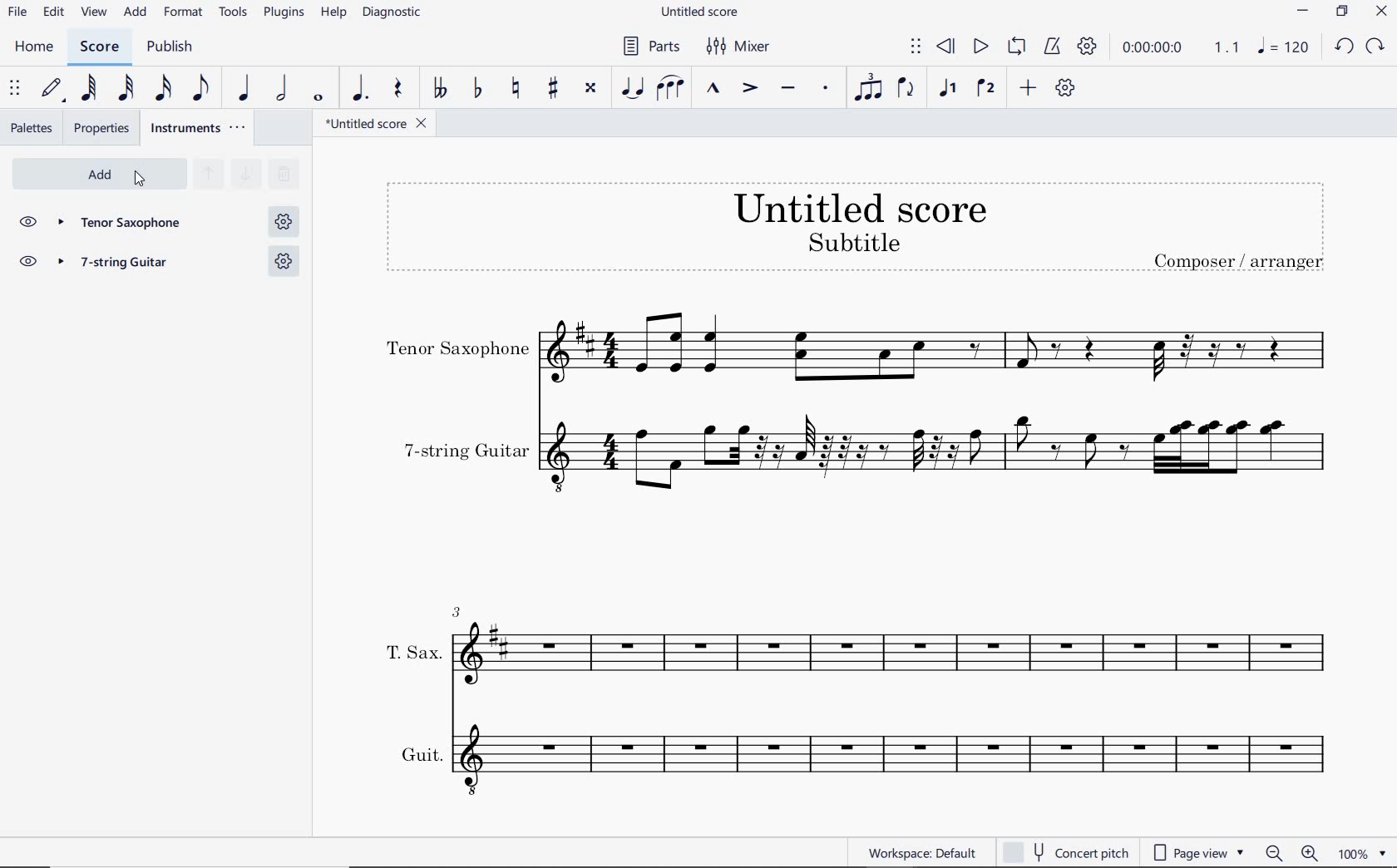 This screenshot has width=1397, height=868. What do you see at coordinates (1051, 47) in the screenshot?
I see `METRONOME` at bounding box center [1051, 47].